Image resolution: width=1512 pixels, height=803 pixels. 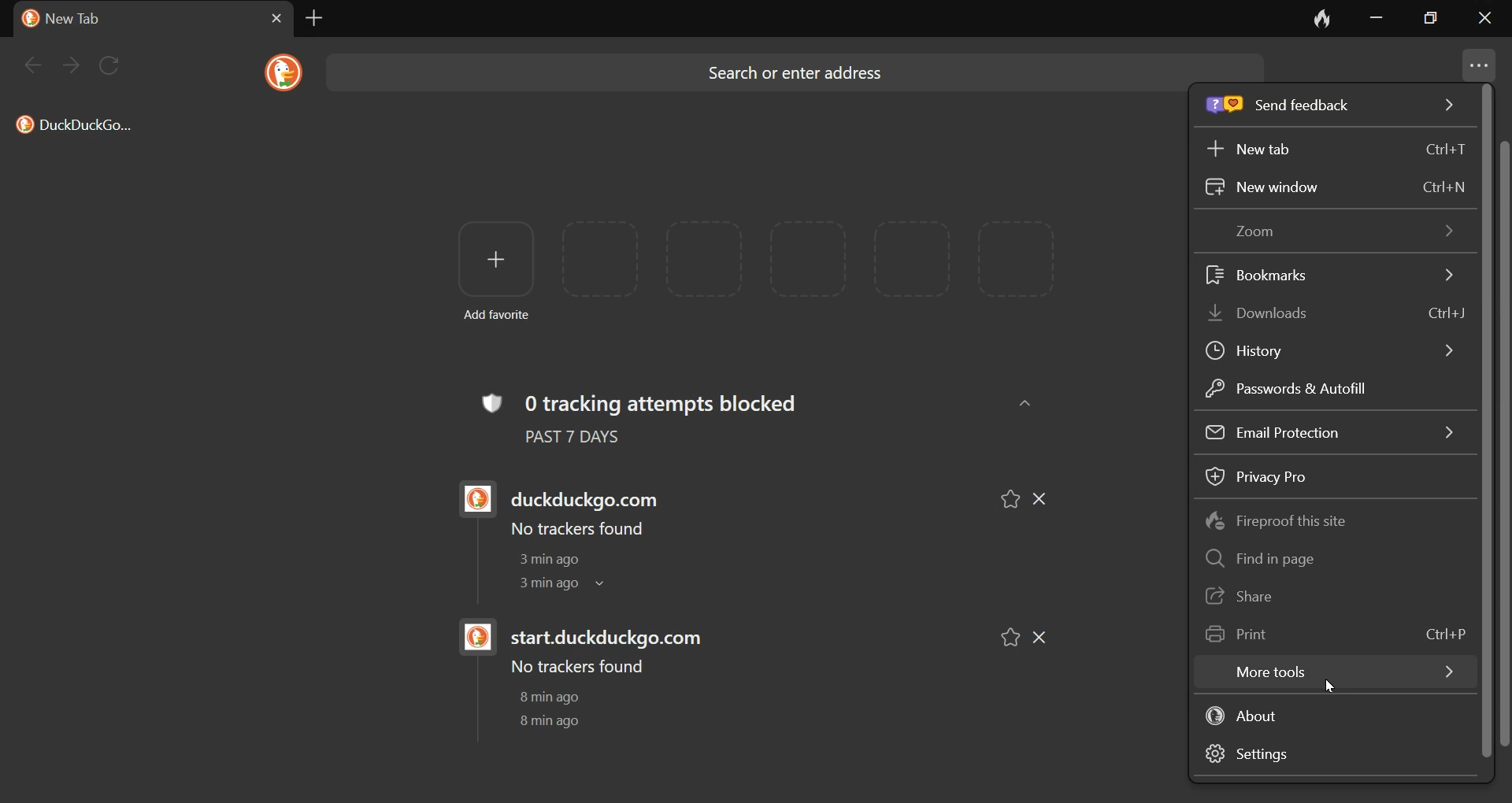 What do you see at coordinates (683, 401) in the screenshot?
I see `0 tracking attempts blocked` at bounding box center [683, 401].